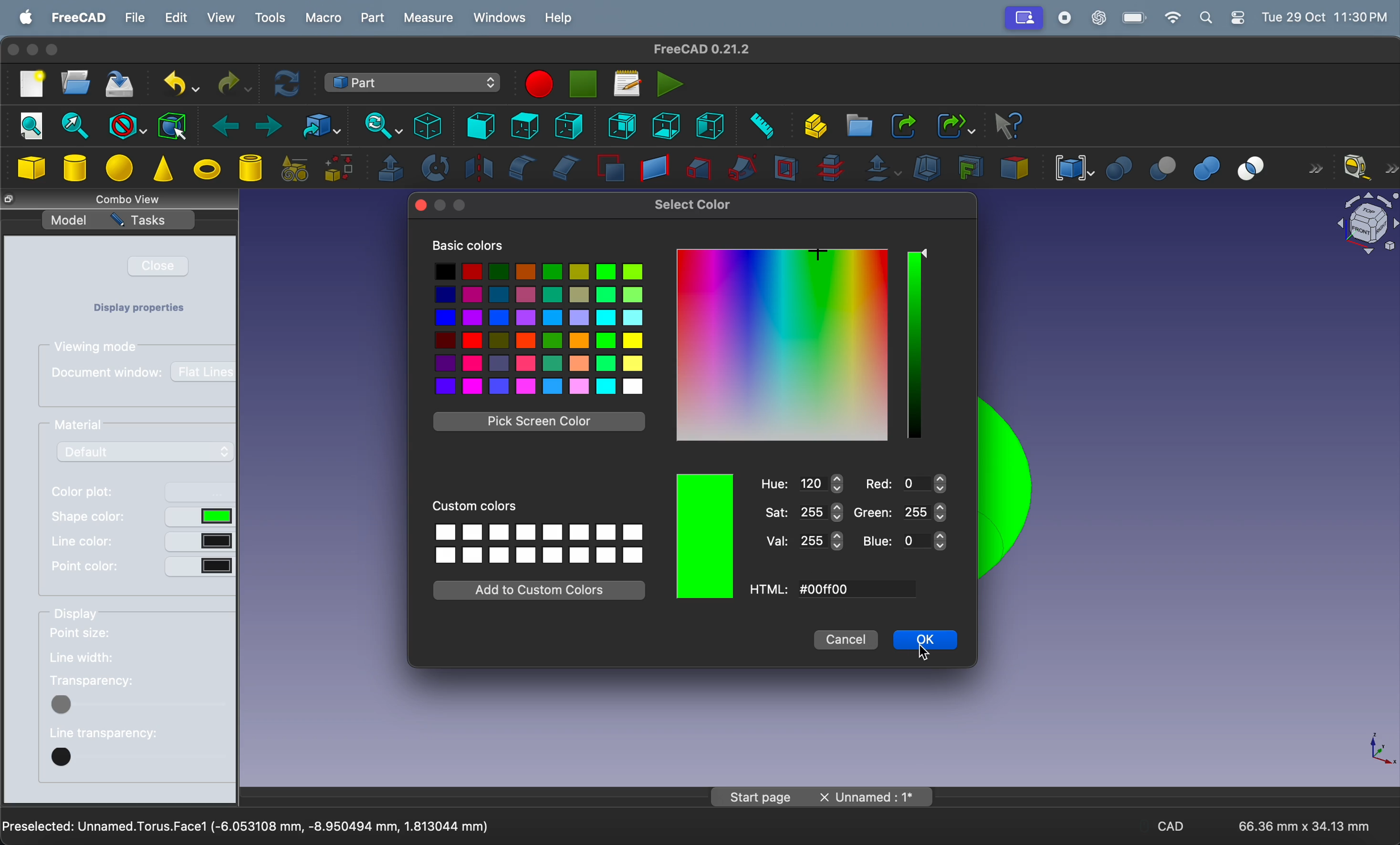 This screenshot has height=845, width=1400. Describe the element at coordinates (108, 374) in the screenshot. I see `document window` at that location.